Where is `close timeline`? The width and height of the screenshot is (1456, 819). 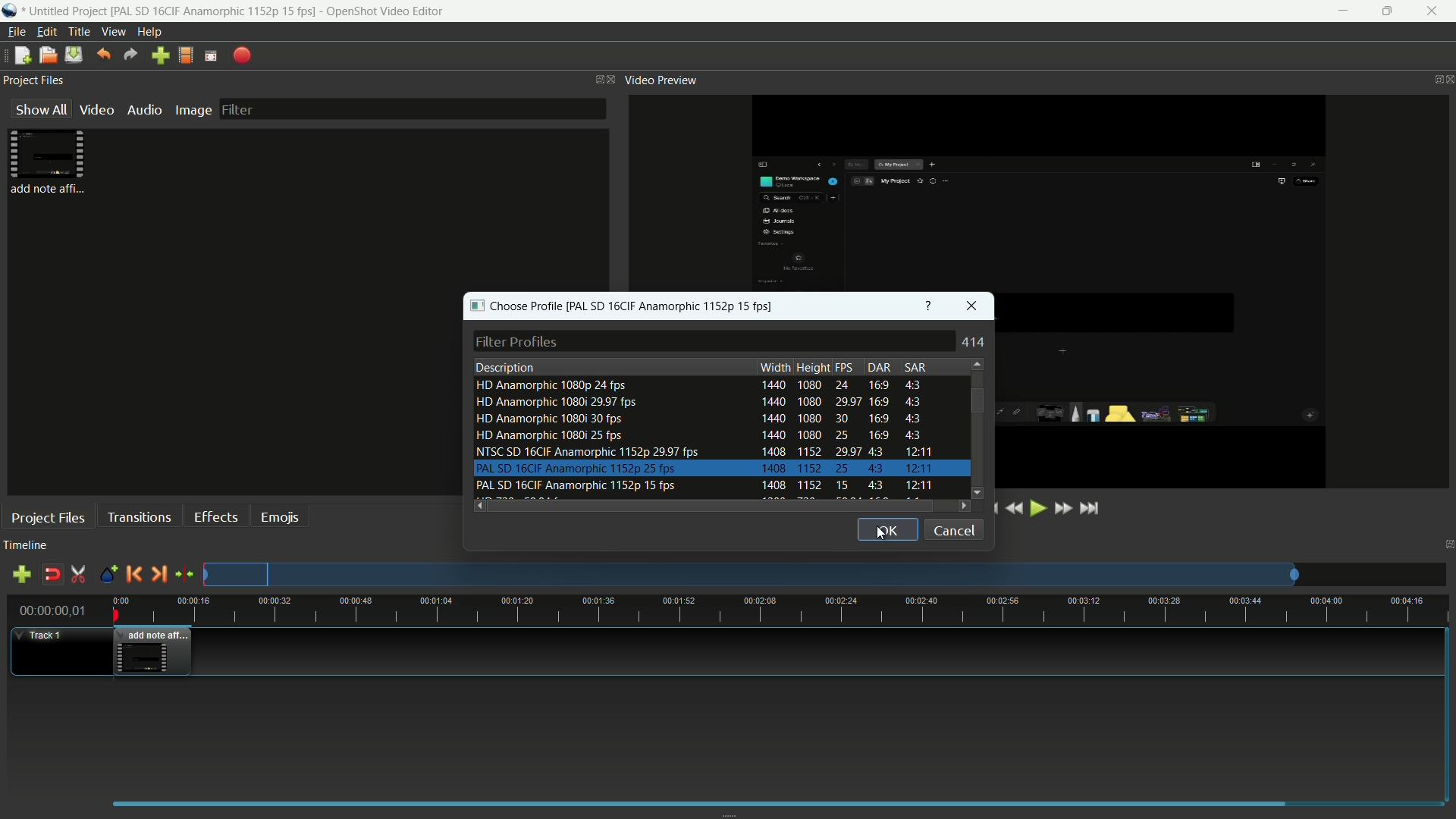
close timeline is located at coordinates (1447, 543).